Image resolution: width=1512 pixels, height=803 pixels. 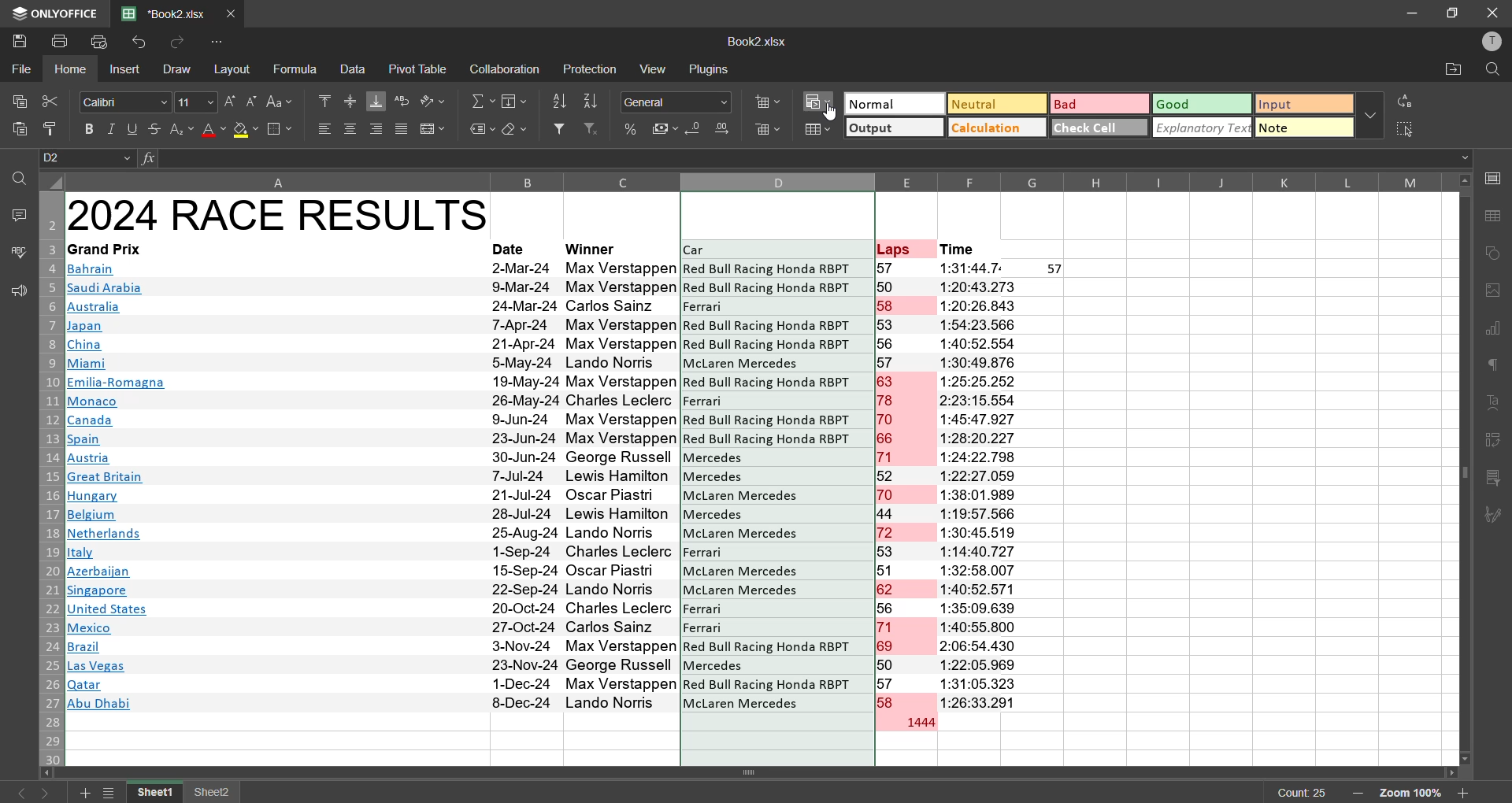 I want to click on underline, so click(x=133, y=128).